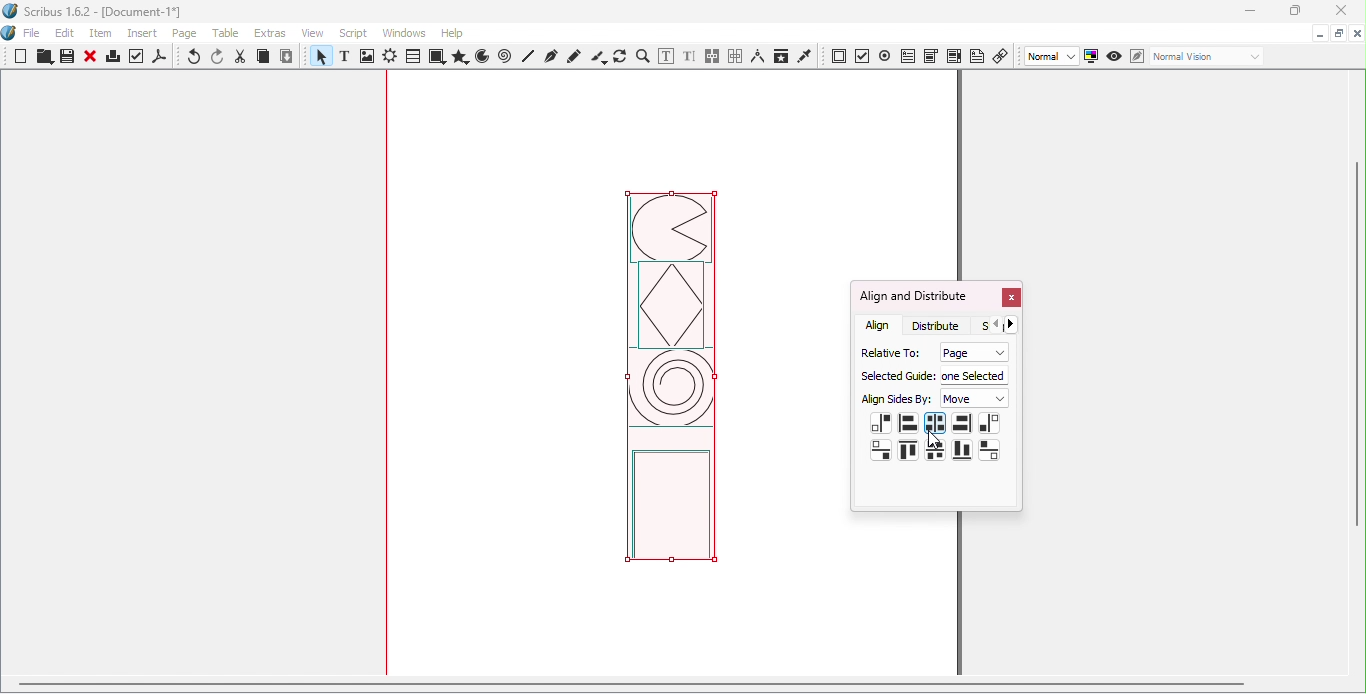  What do you see at coordinates (620, 56) in the screenshot?
I see `Rotate item` at bounding box center [620, 56].